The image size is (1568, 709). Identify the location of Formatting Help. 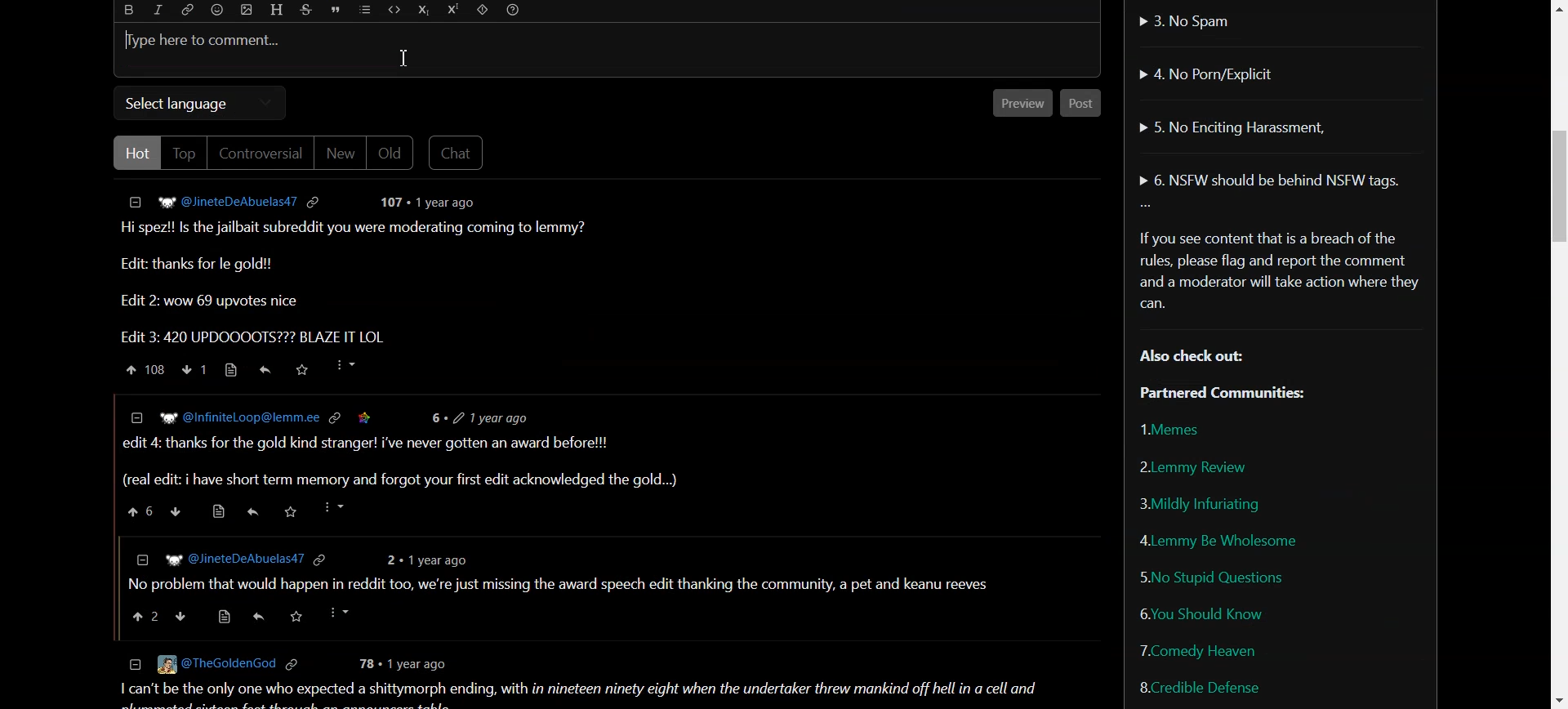
(514, 11).